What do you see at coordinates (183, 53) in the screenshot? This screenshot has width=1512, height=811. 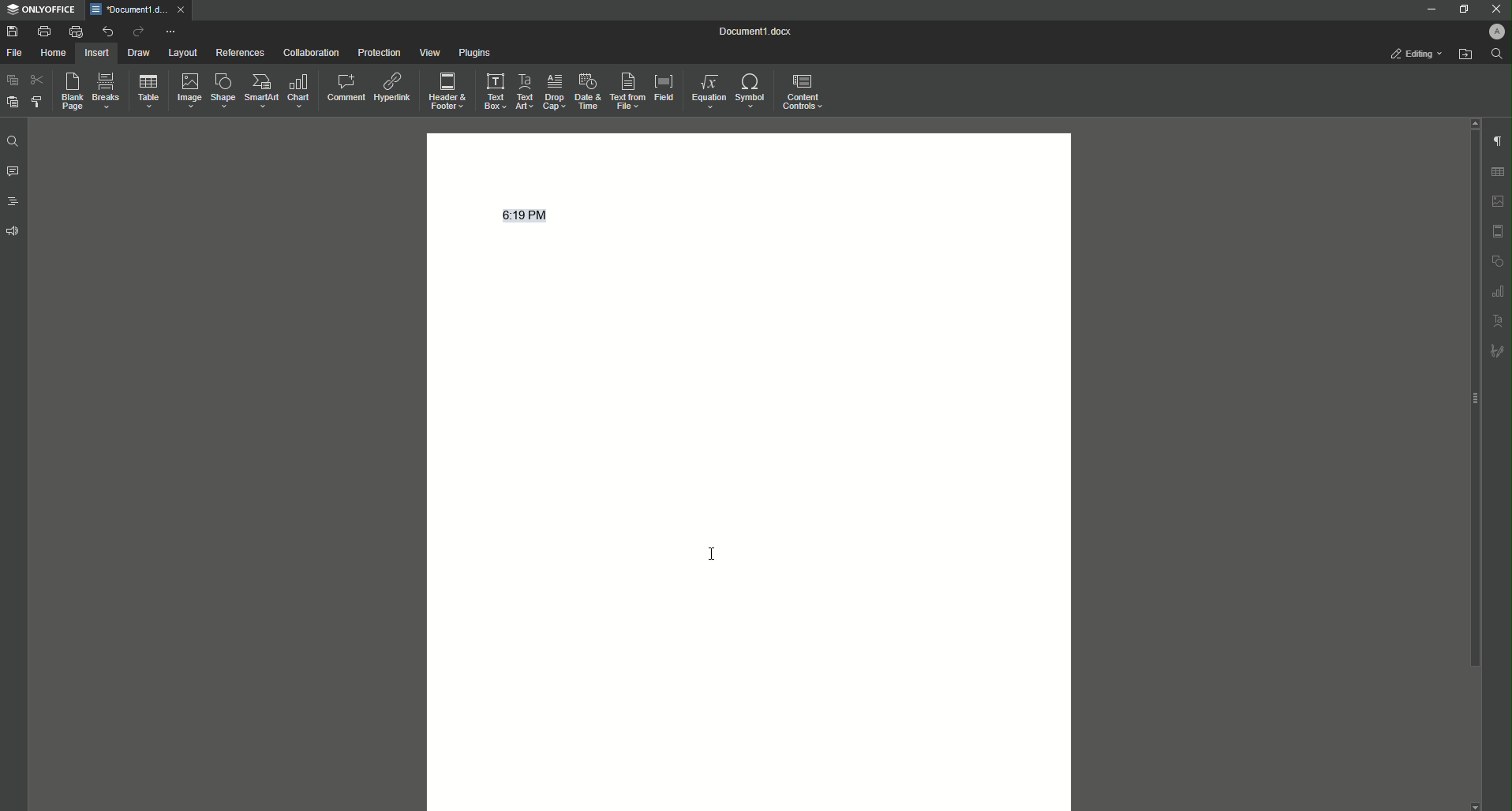 I see `Layout` at bounding box center [183, 53].